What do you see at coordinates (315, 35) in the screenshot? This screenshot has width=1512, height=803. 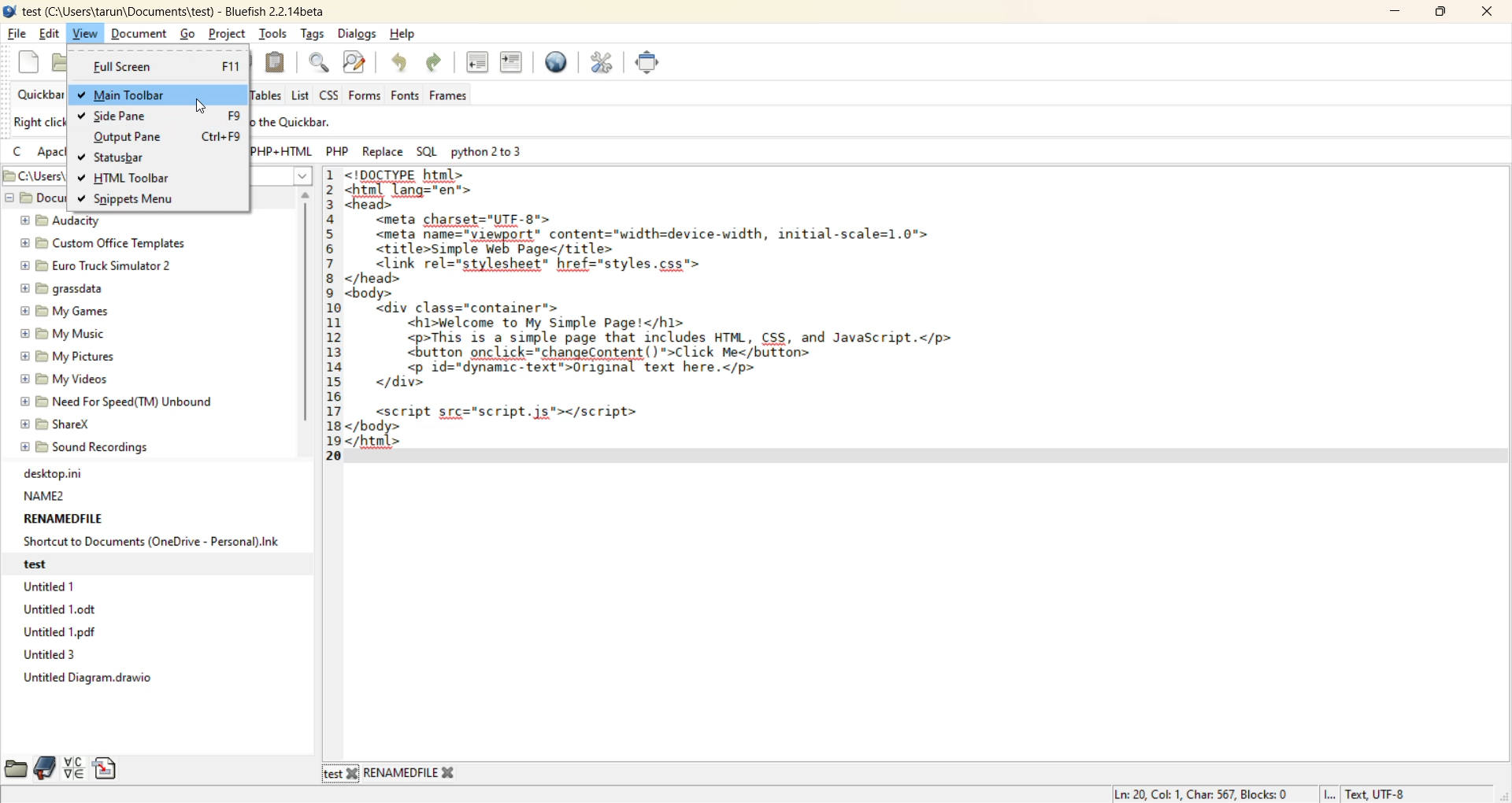 I see `tags` at bounding box center [315, 35].